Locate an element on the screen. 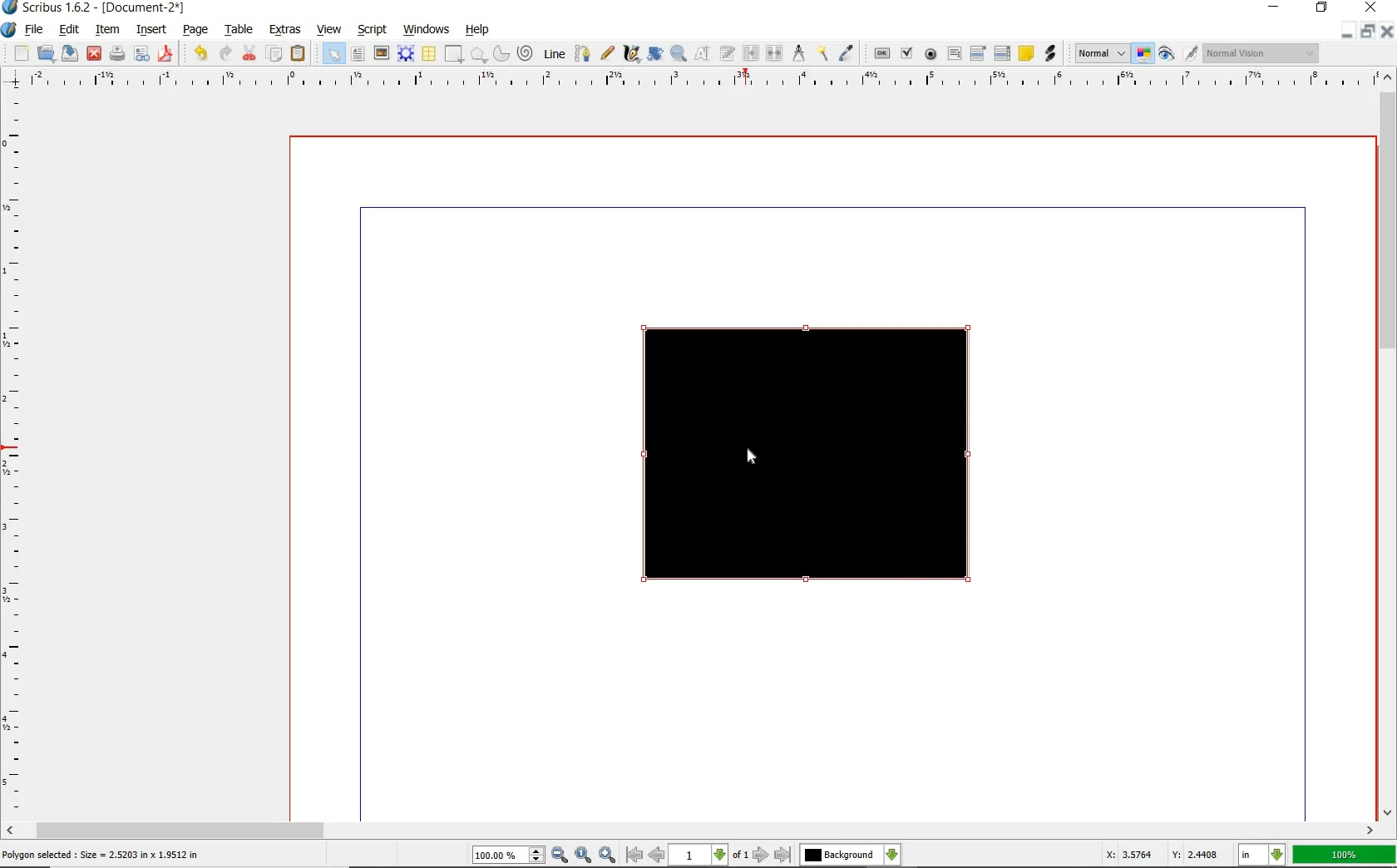  insert is located at coordinates (154, 29).